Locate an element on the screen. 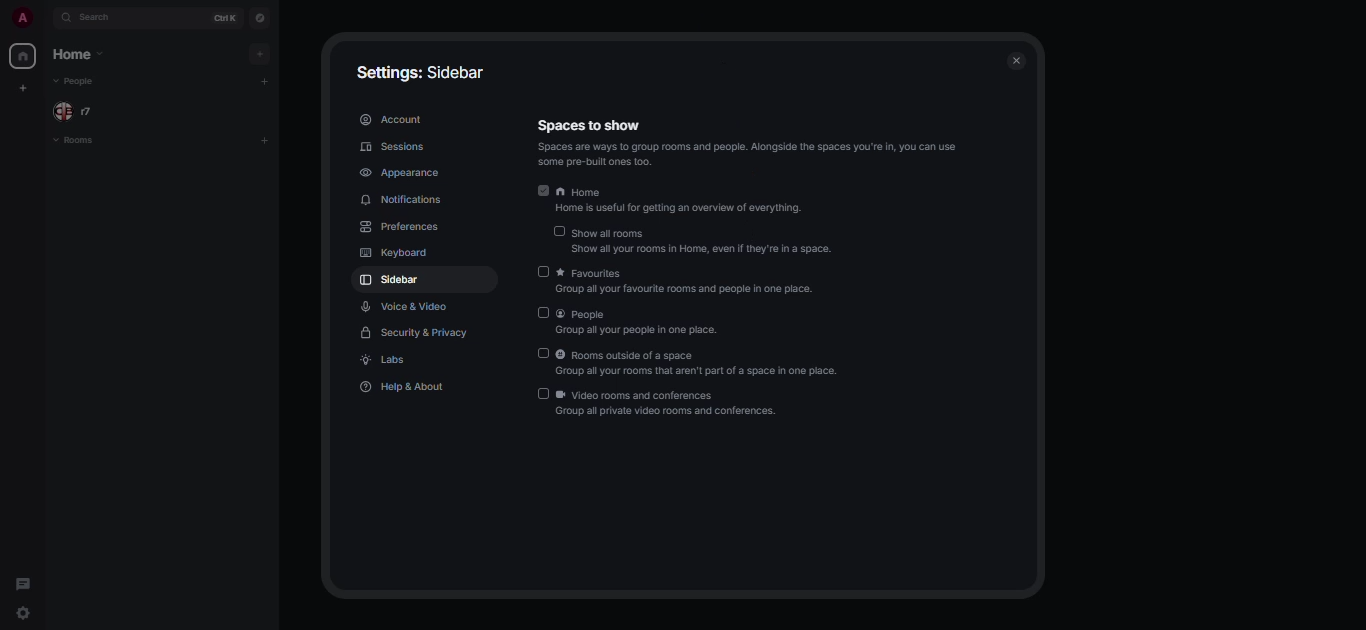  search is located at coordinates (101, 20).